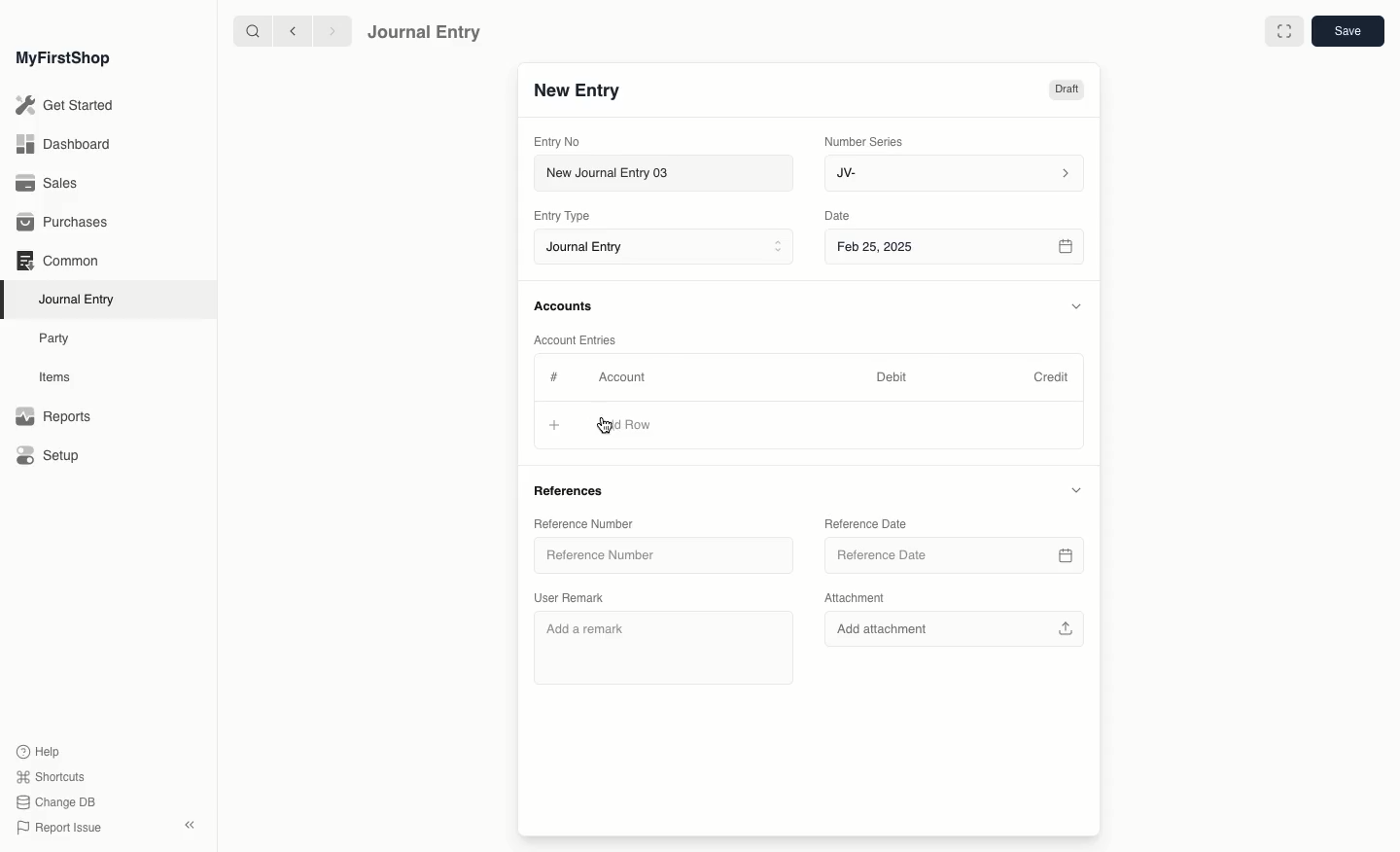 The height and width of the screenshot is (852, 1400). I want to click on Hide, so click(1074, 489).